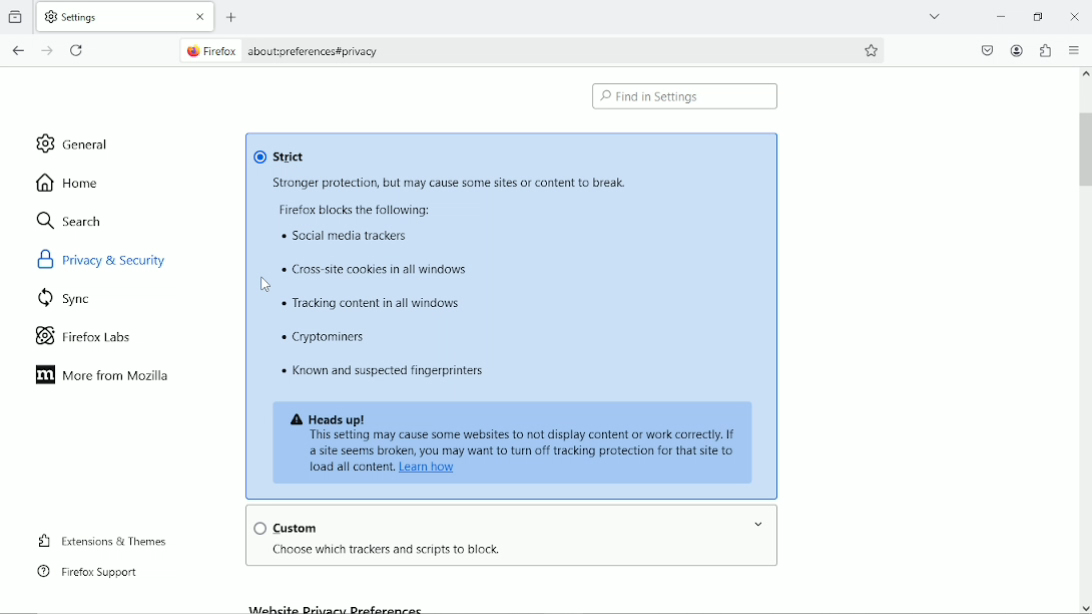  Describe the element at coordinates (1039, 14) in the screenshot. I see `restore down` at that location.